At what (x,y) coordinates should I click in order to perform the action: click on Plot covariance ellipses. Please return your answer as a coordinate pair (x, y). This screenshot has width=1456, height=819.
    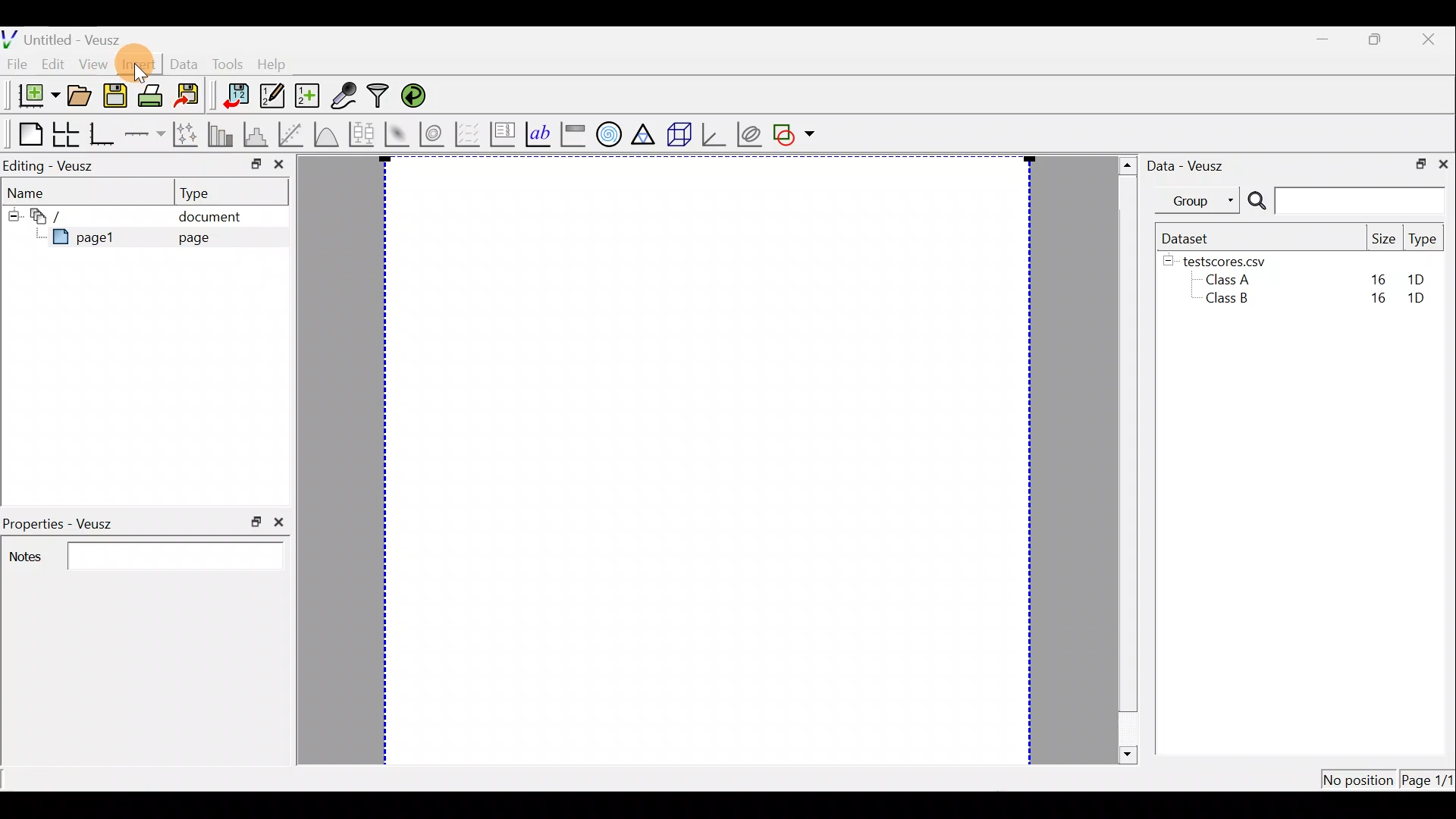
    Looking at the image, I should click on (749, 133).